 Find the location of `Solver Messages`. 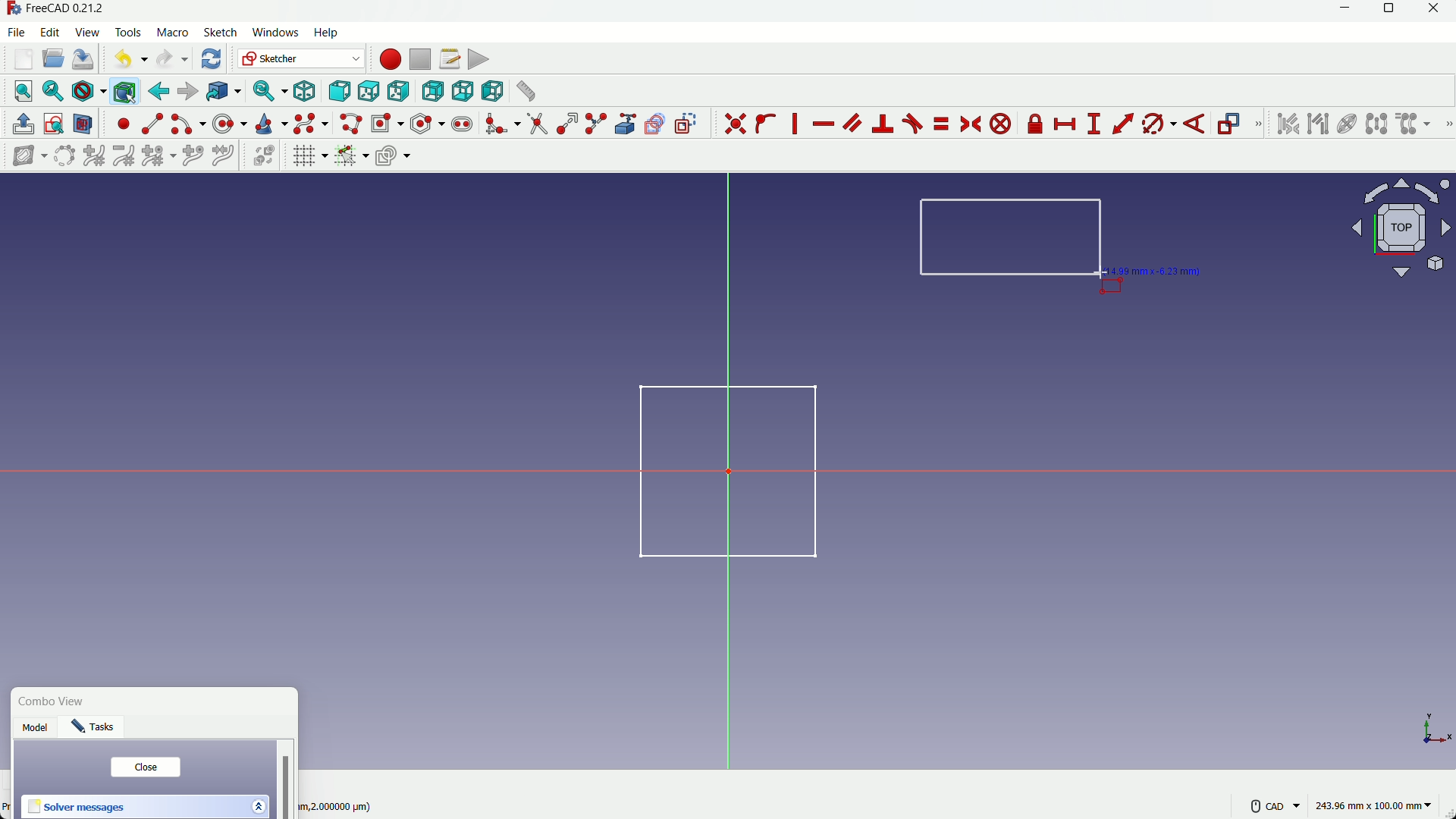

Solver Messages is located at coordinates (77, 808).